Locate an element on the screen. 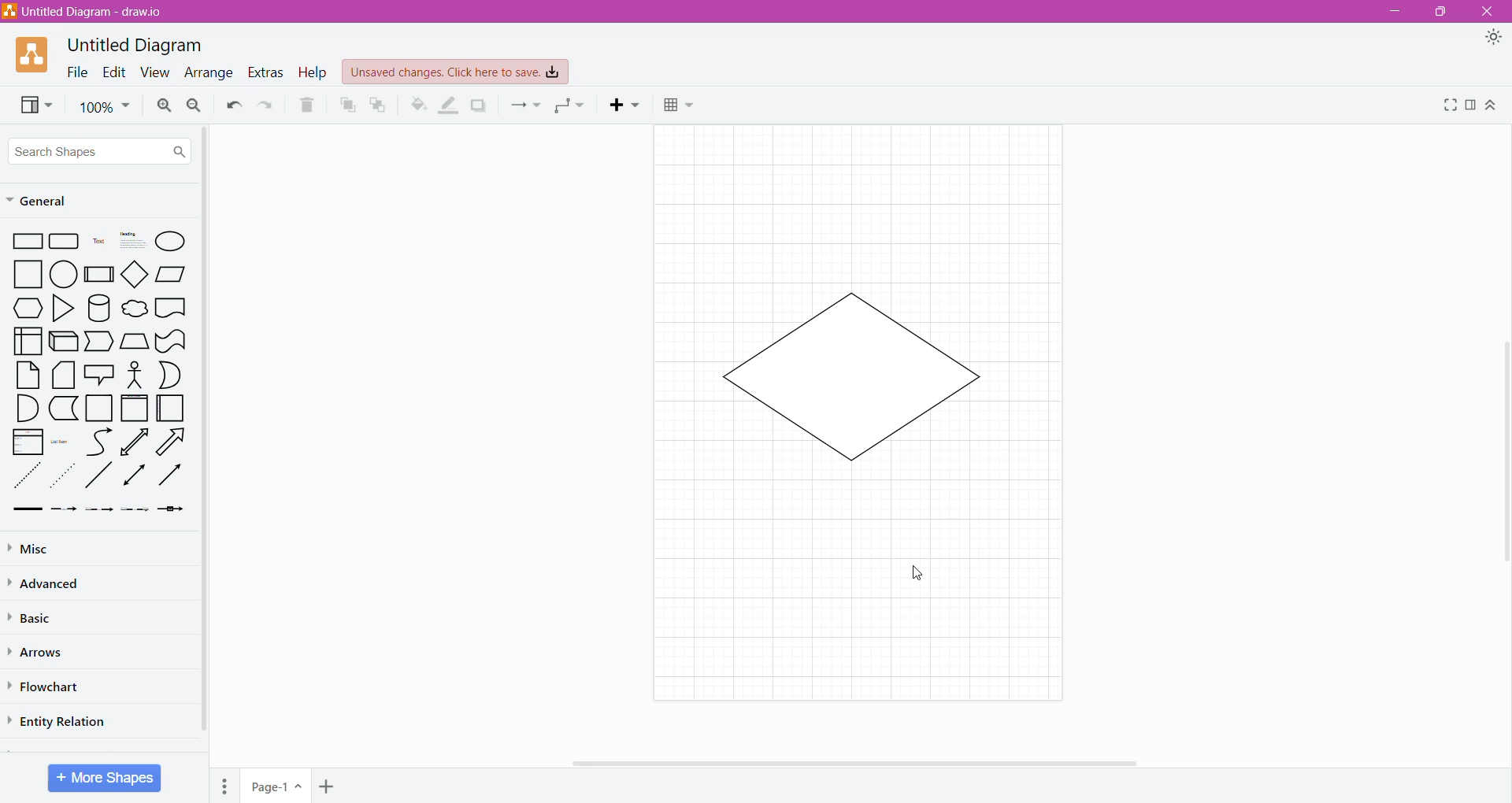  Fill Color is located at coordinates (417, 105).